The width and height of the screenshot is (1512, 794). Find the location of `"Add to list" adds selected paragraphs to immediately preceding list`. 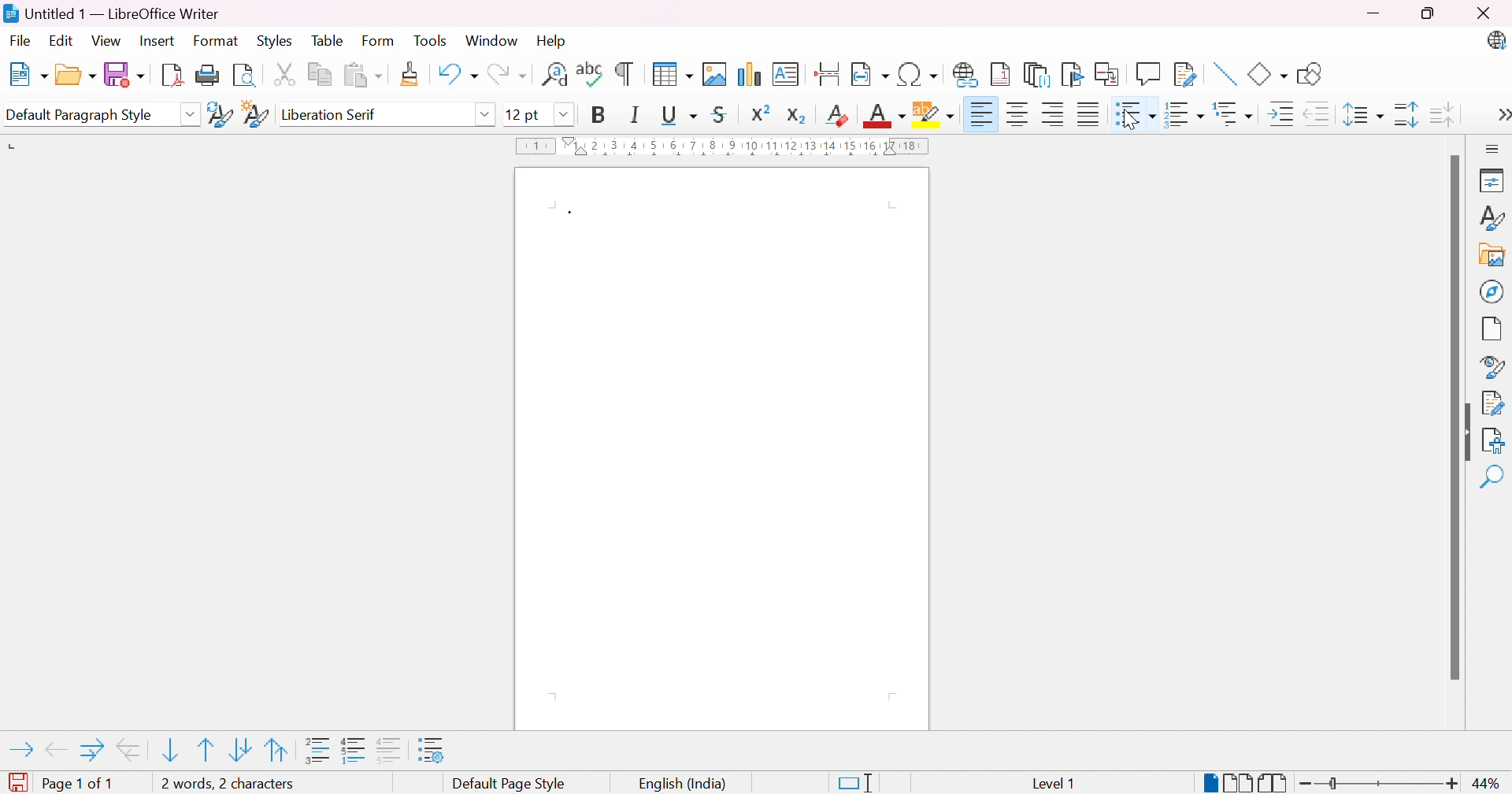

"Add to list" adds selected paragraphs to immediately preceding list is located at coordinates (388, 749).